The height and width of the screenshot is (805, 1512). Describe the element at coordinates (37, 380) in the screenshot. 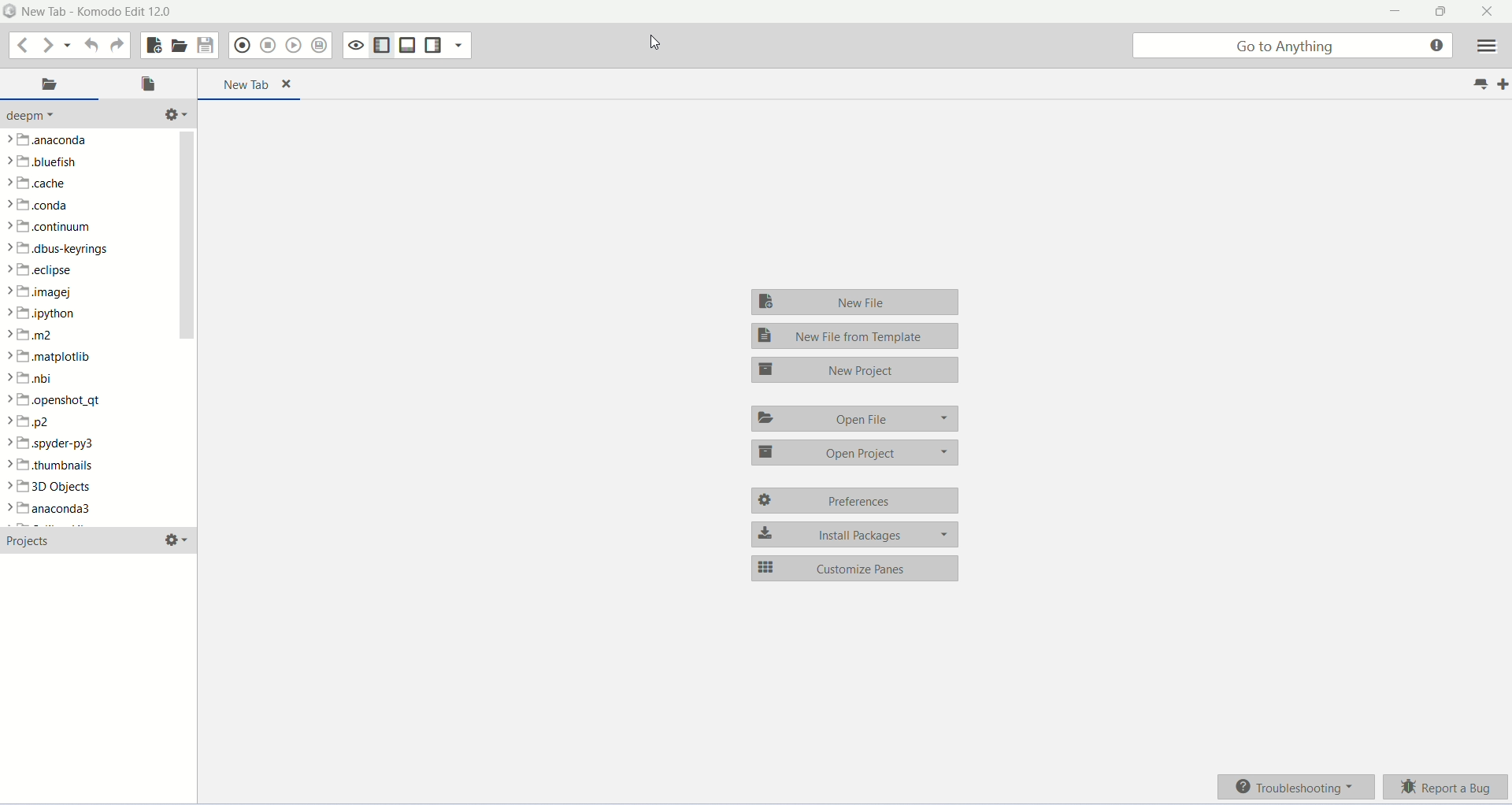

I see `nbi` at that location.